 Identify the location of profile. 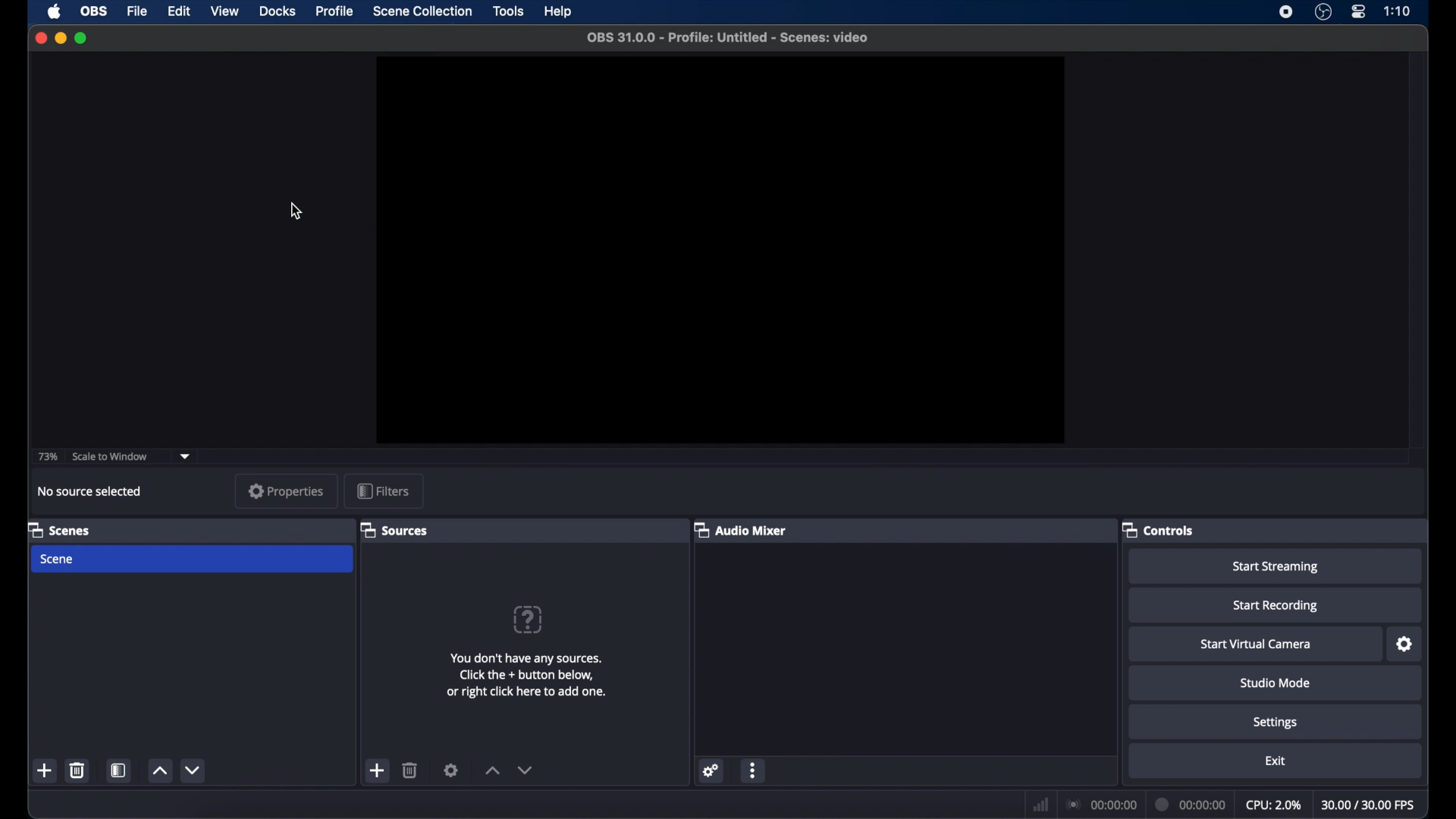
(336, 11).